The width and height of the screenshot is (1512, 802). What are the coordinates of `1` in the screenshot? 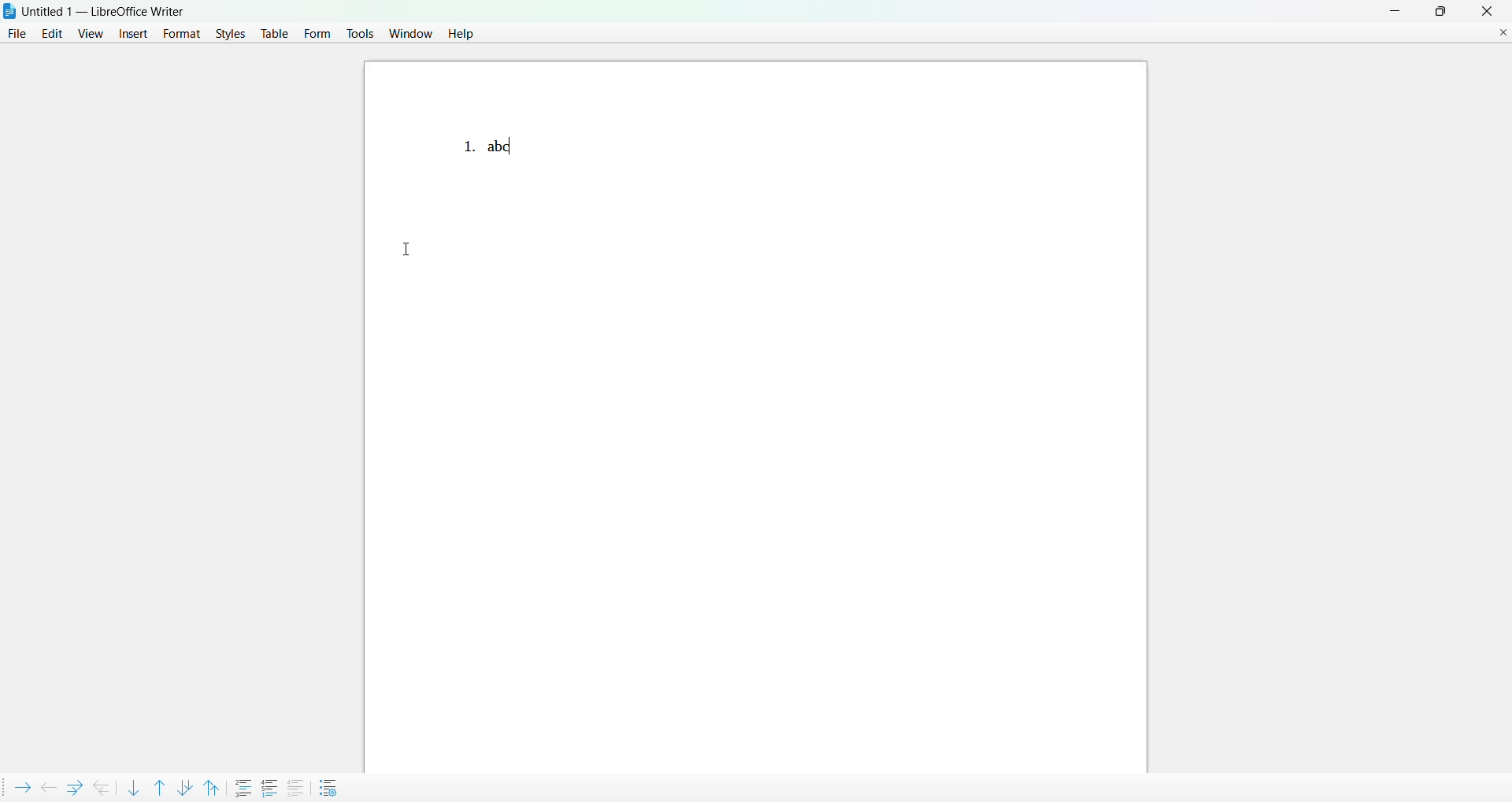 It's located at (455, 143).